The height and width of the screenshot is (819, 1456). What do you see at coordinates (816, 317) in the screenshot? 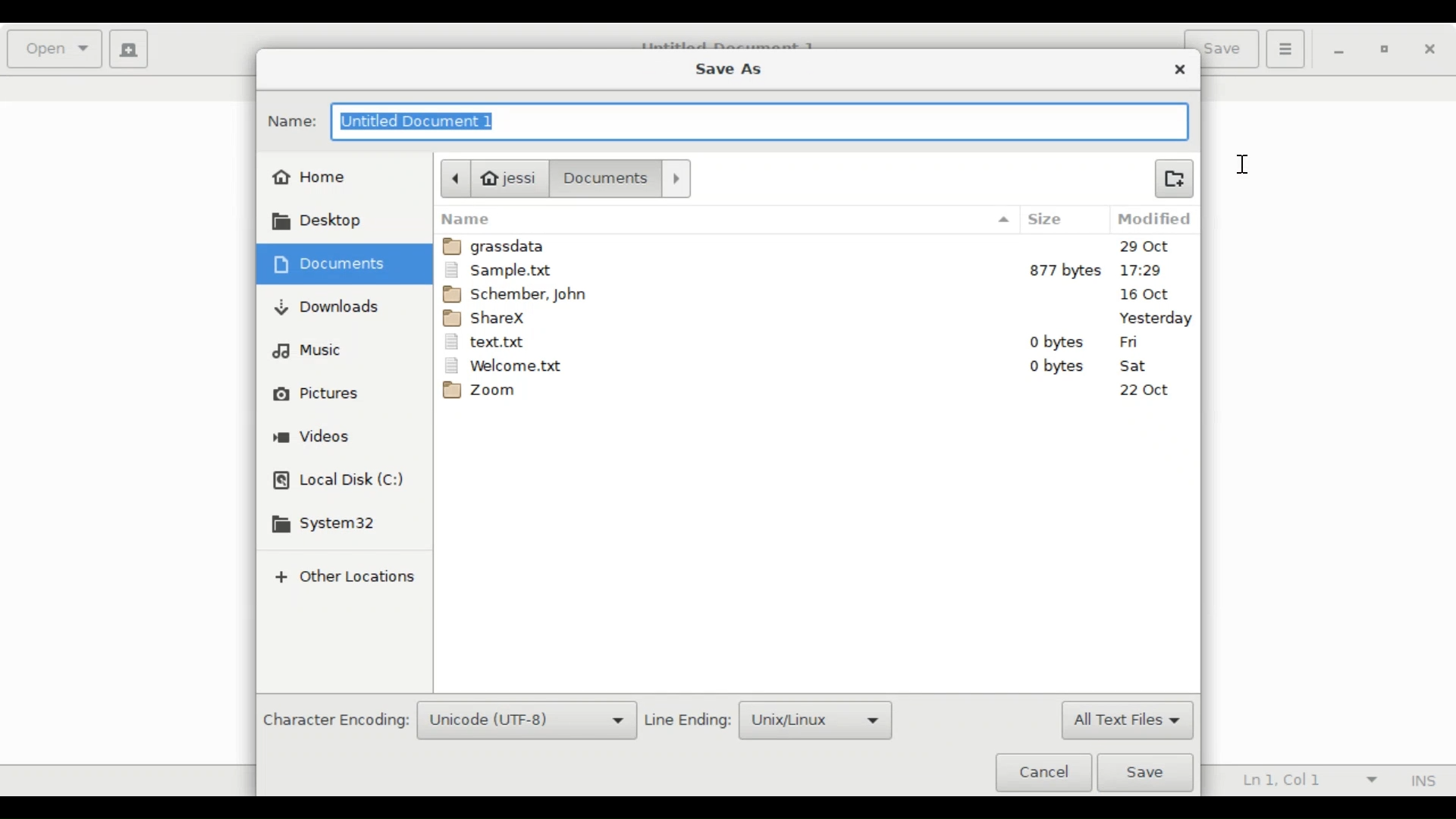
I see `ShareX Yesterday` at bounding box center [816, 317].